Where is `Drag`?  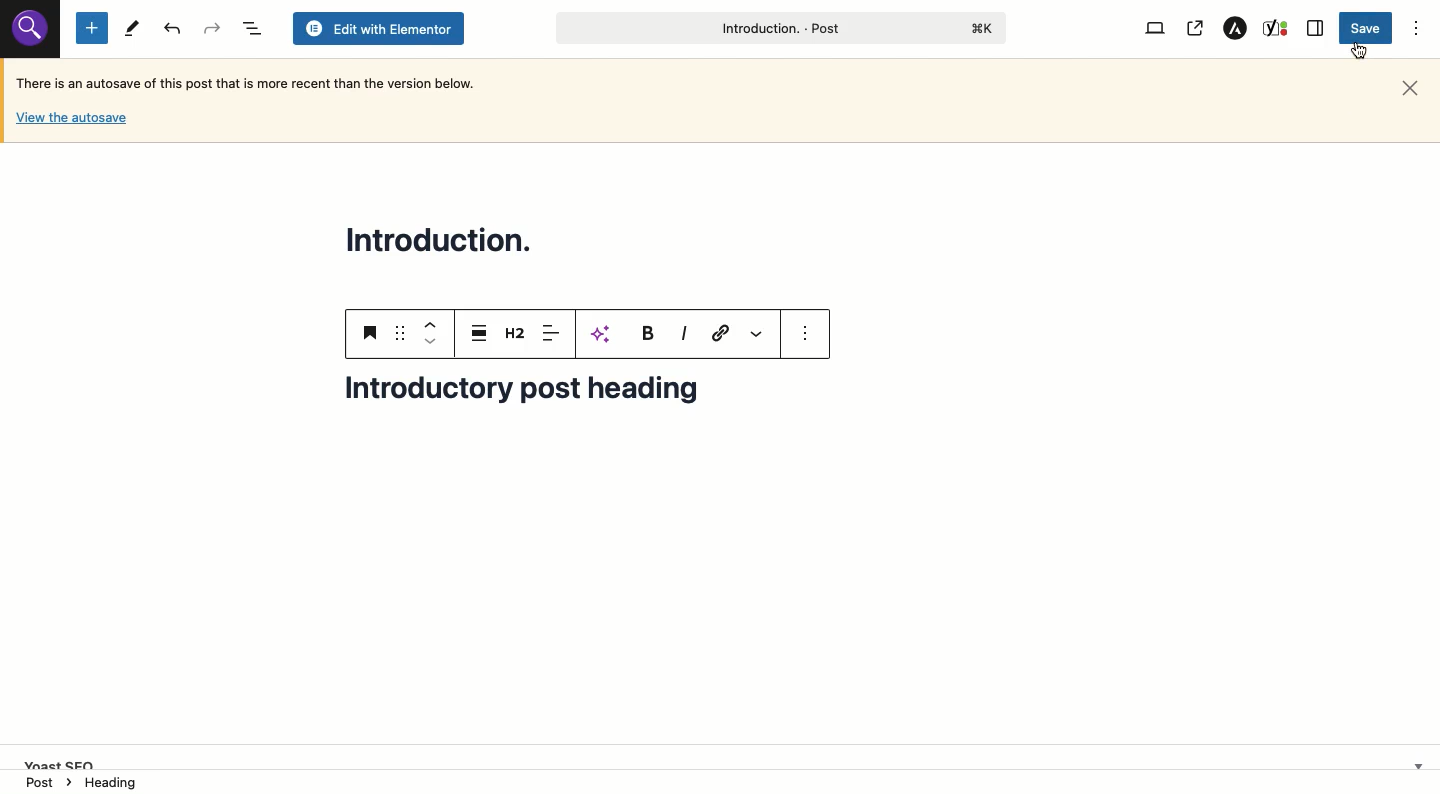 Drag is located at coordinates (401, 332).